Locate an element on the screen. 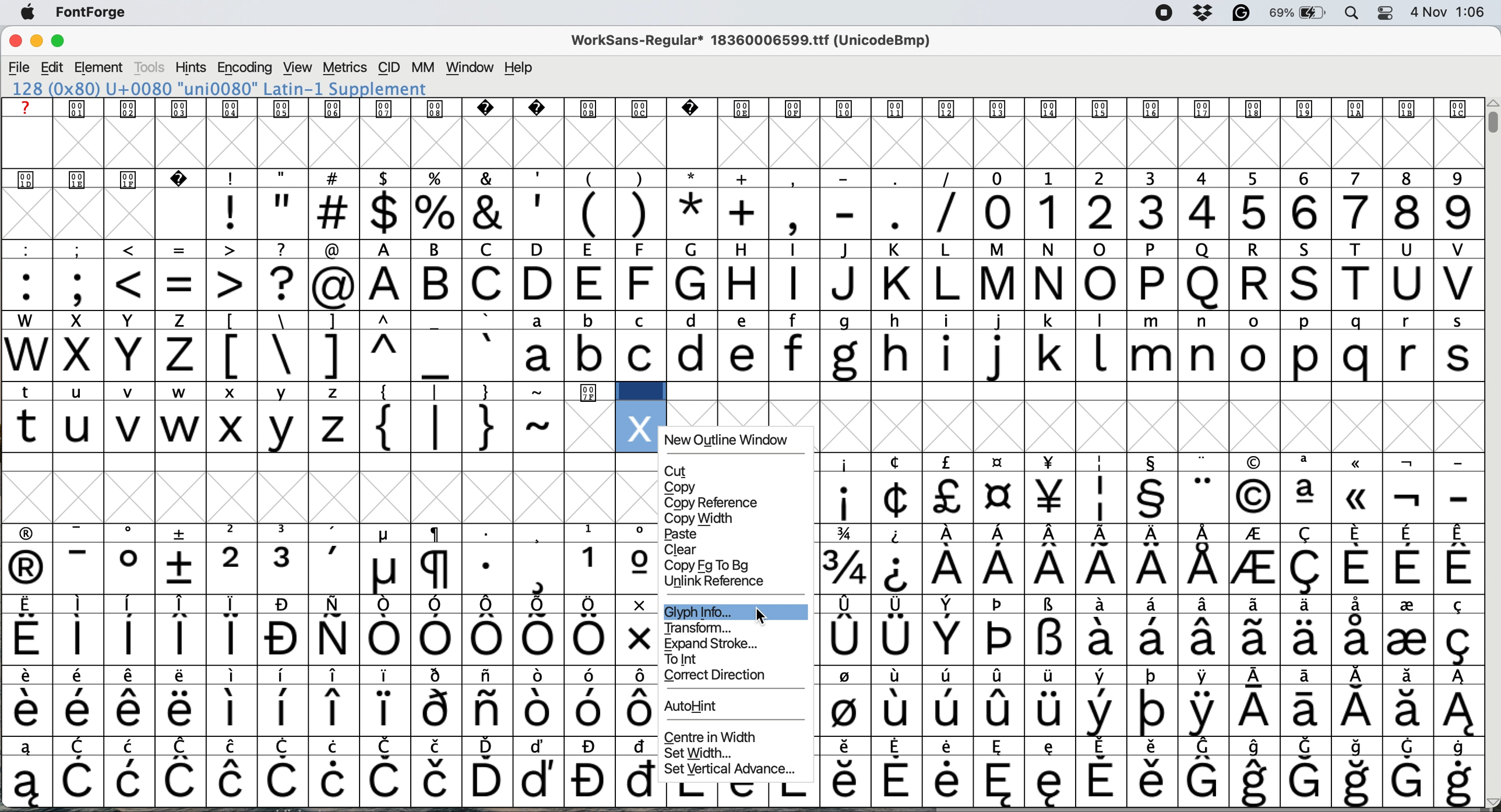  maximise is located at coordinates (65, 43).